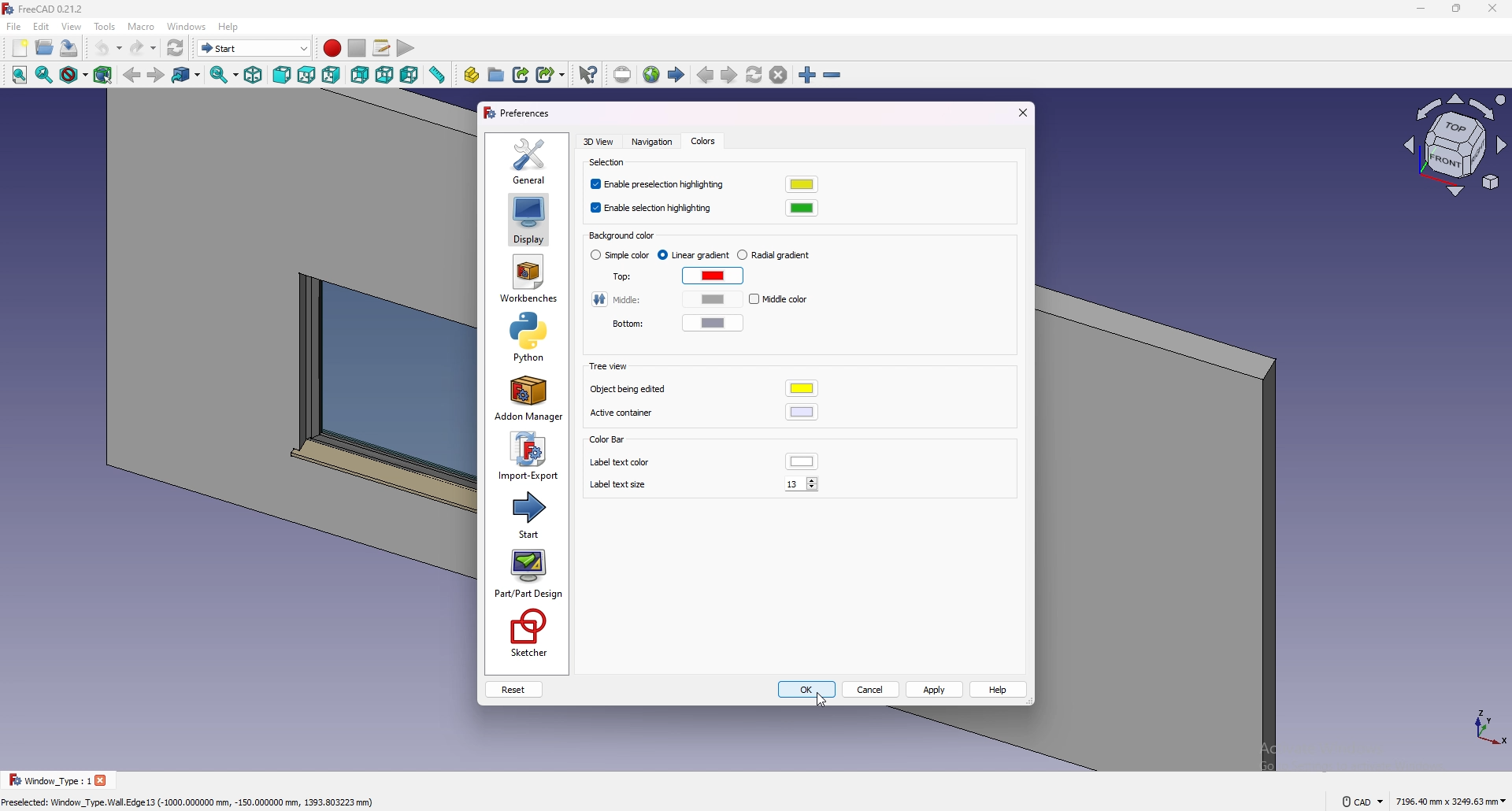  Describe the element at coordinates (55, 9) in the screenshot. I see `FreeCAD 0.21.2` at that location.